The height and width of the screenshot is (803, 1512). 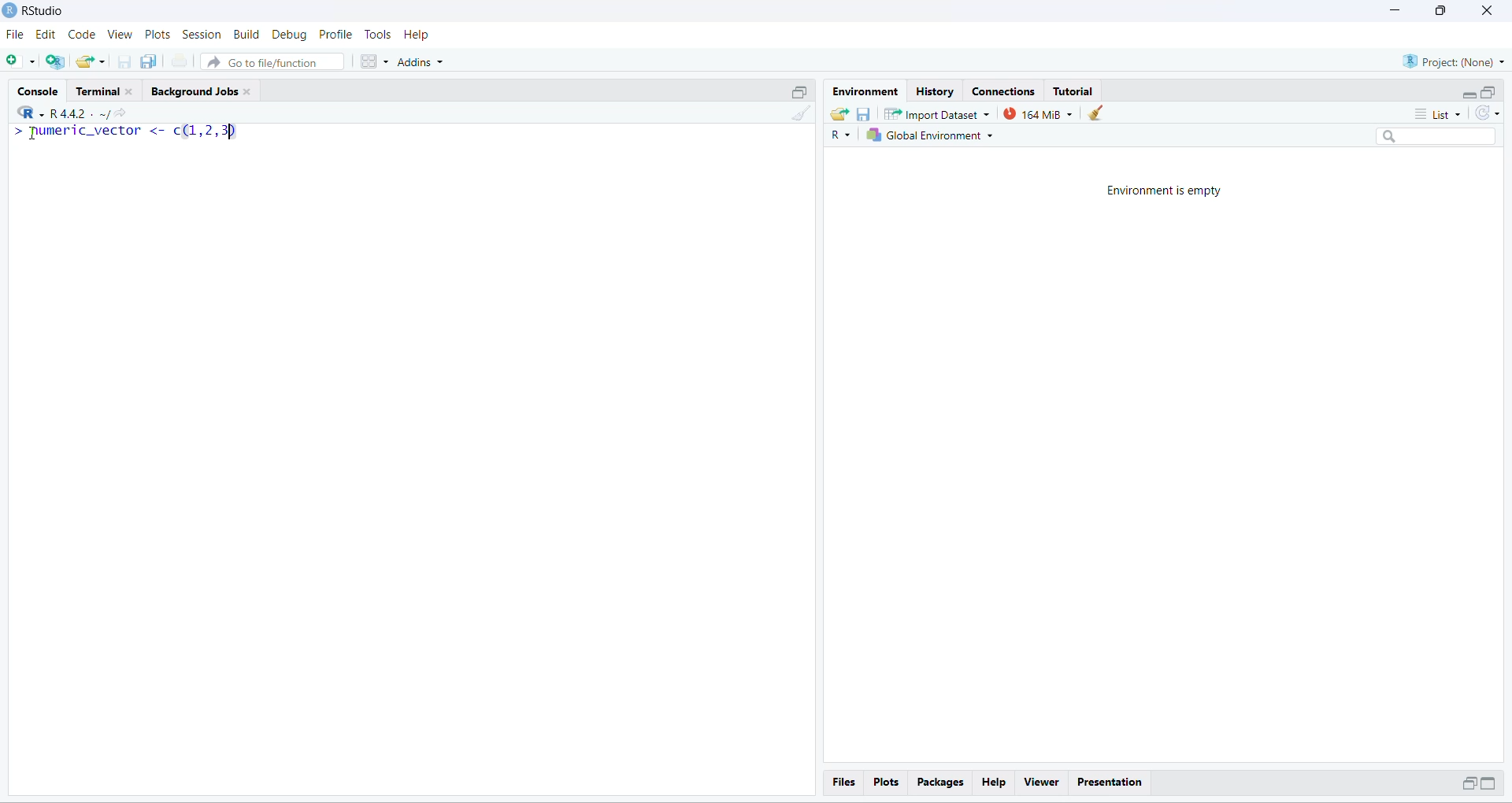 What do you see at coordinates (80, 35) in the screenshot?
I see `Code` at bounding box center [80, 35].